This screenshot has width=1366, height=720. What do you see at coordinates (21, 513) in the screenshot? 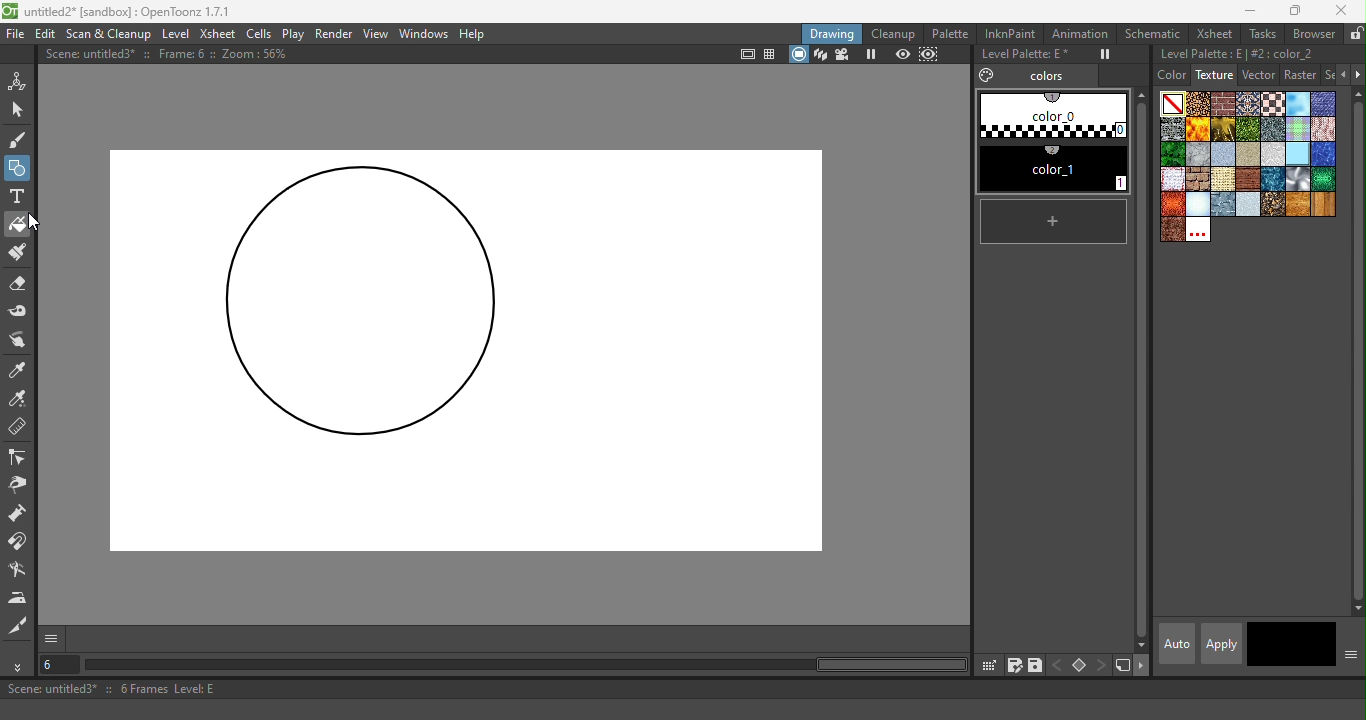
I see `Pump tool` at bounding box center [21, 513].